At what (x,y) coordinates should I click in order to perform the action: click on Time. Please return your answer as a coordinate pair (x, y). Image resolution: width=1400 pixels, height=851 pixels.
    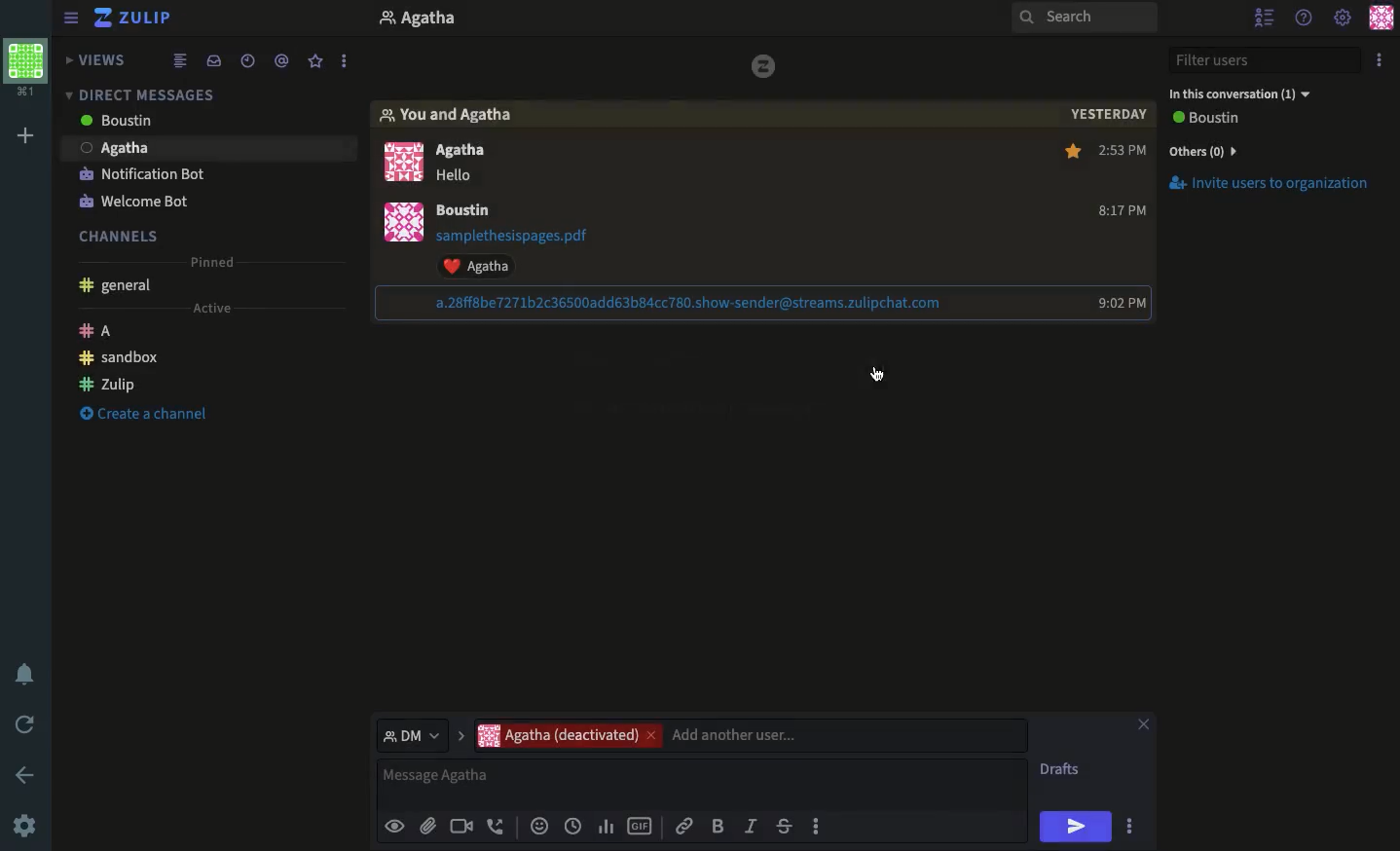
    Looking at the image, I should click on (1126, 227).